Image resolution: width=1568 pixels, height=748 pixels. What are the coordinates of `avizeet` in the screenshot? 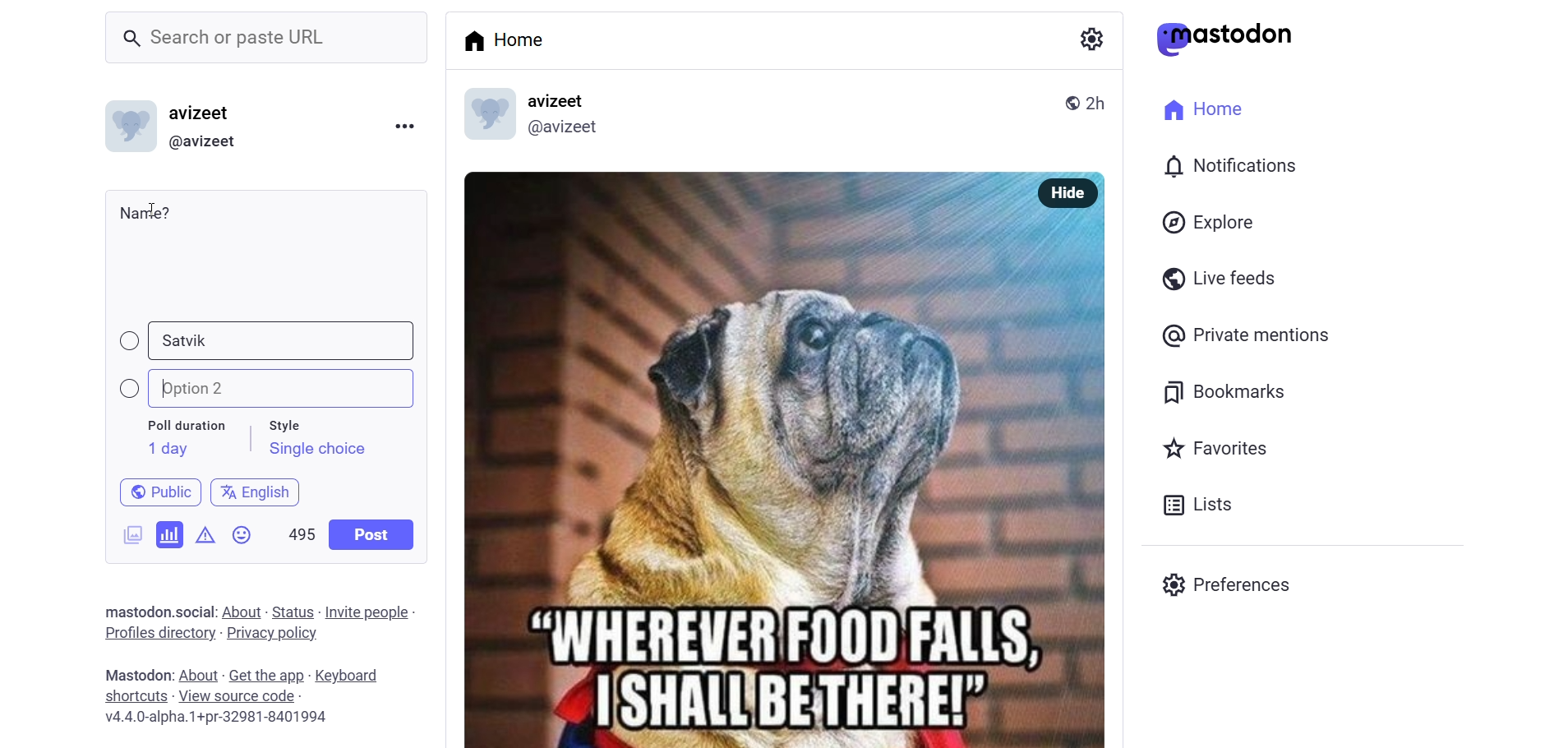 It's located at (560, 102).